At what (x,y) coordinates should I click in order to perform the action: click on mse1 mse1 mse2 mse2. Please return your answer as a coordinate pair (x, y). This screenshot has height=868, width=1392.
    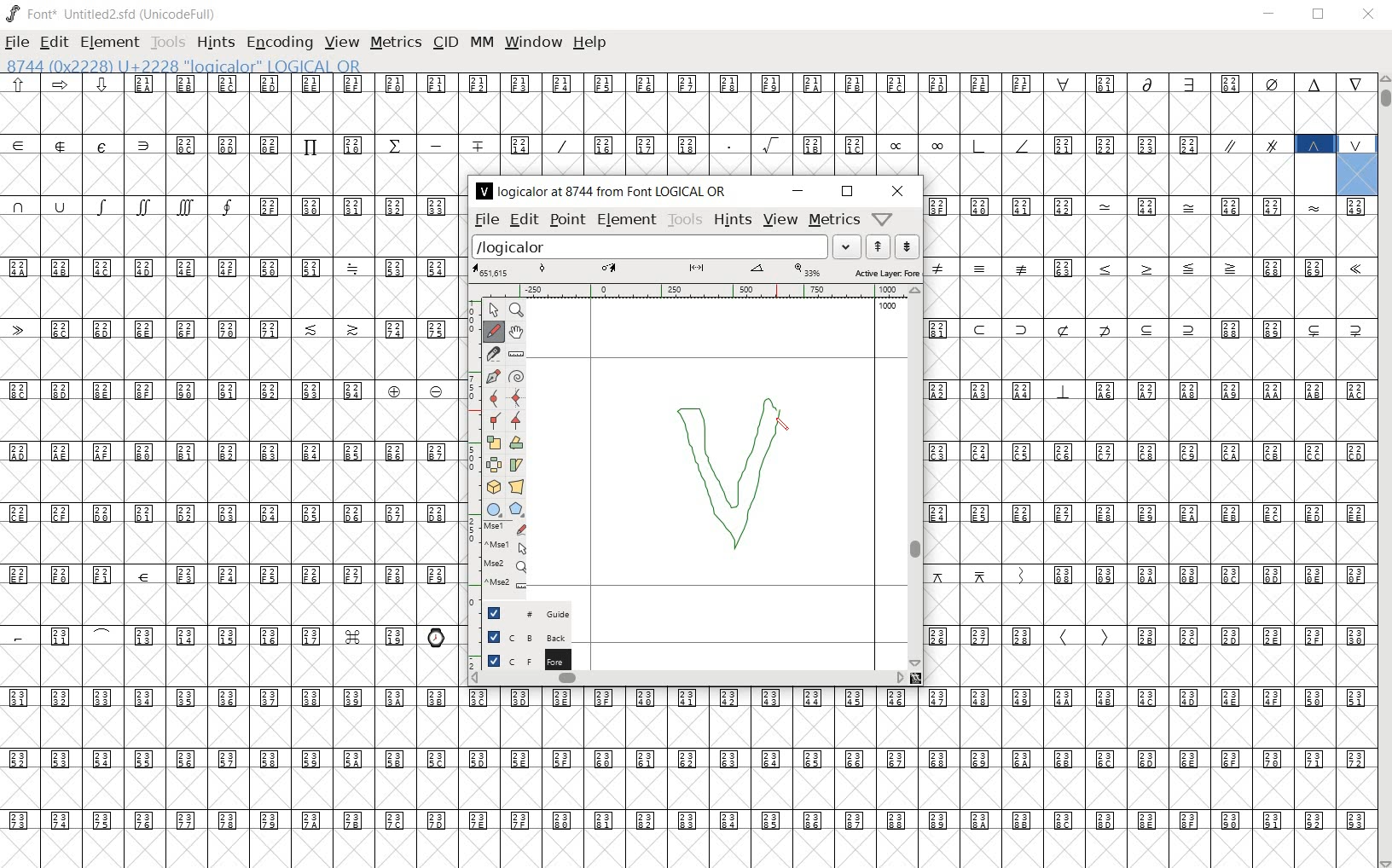
    Looking at the image, I should click on (500, 558).